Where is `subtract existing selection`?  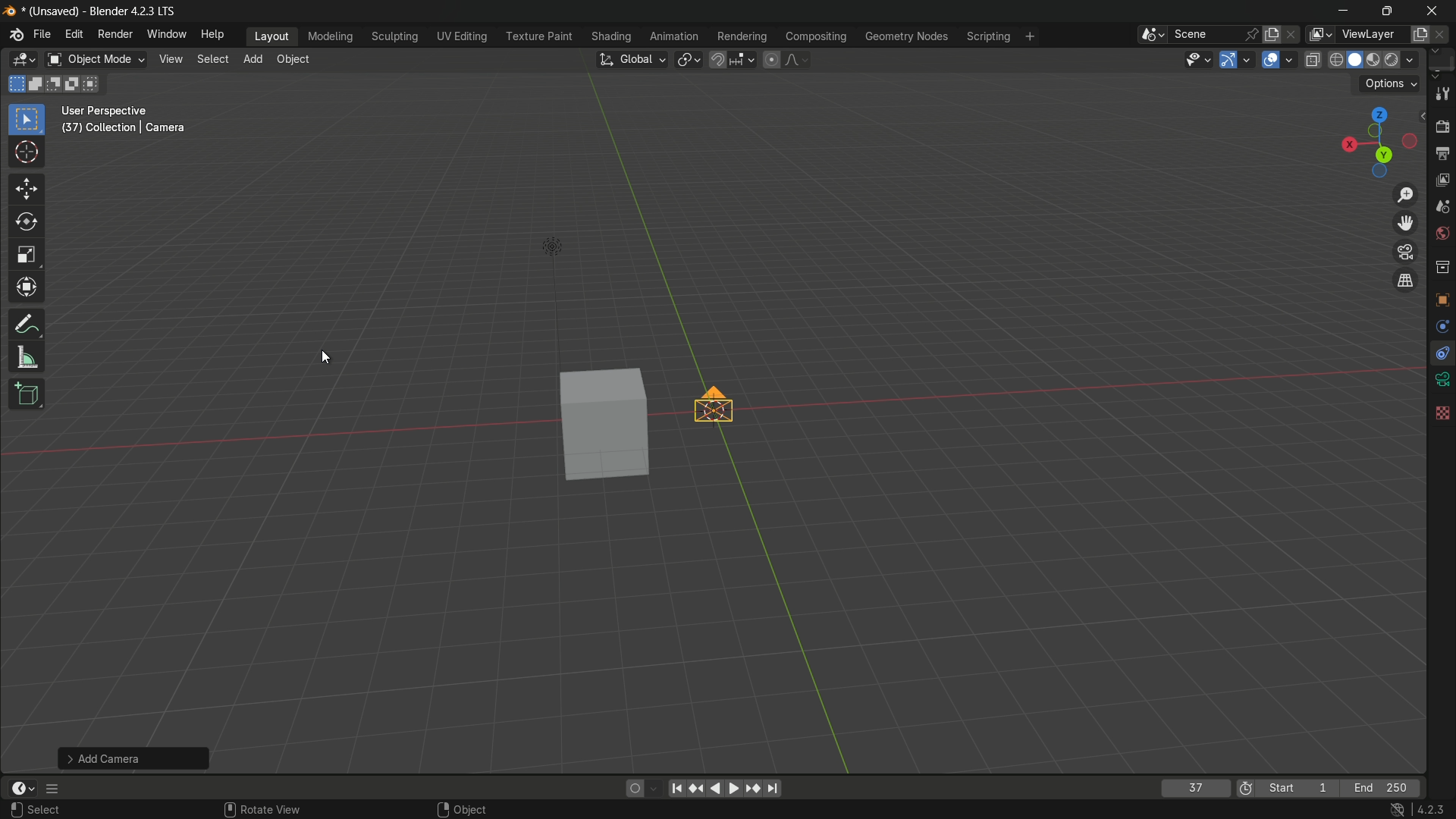 subtract existing selection is located at coordinates (57, 83).